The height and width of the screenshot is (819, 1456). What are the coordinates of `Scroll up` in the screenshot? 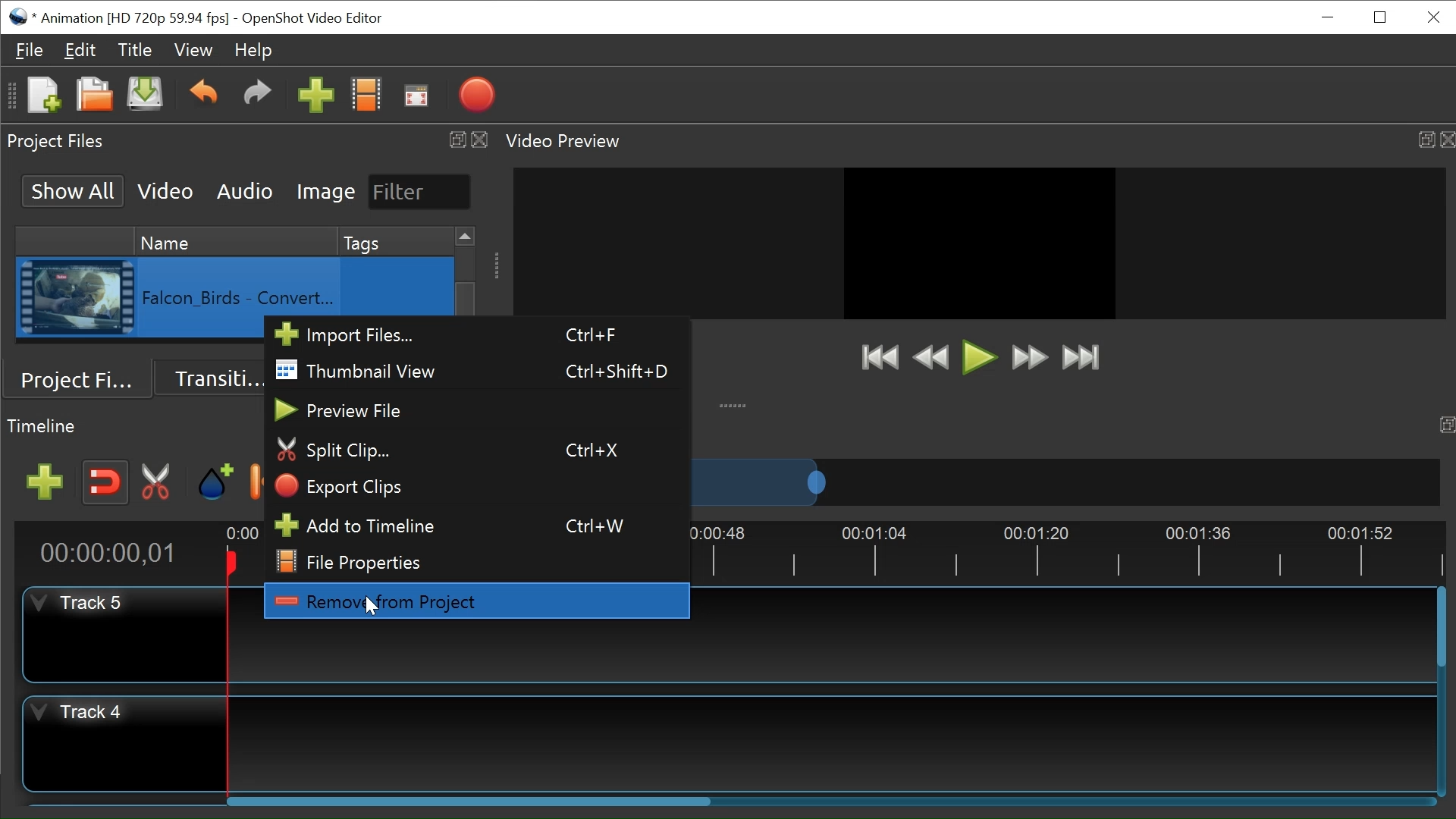 It's located at (467, 237).